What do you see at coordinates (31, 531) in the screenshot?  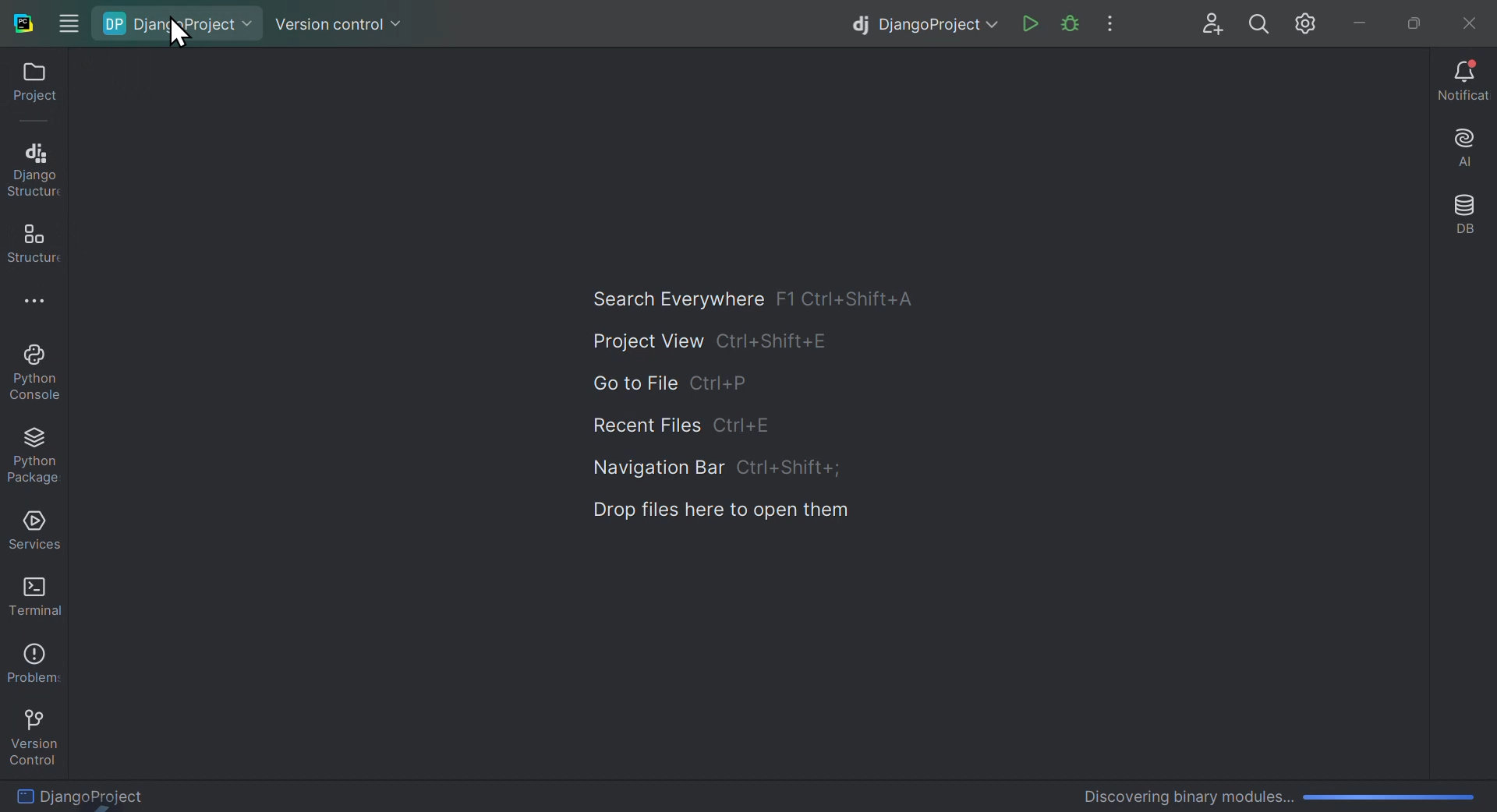 I see `Services` at bounding box center [31, 531].